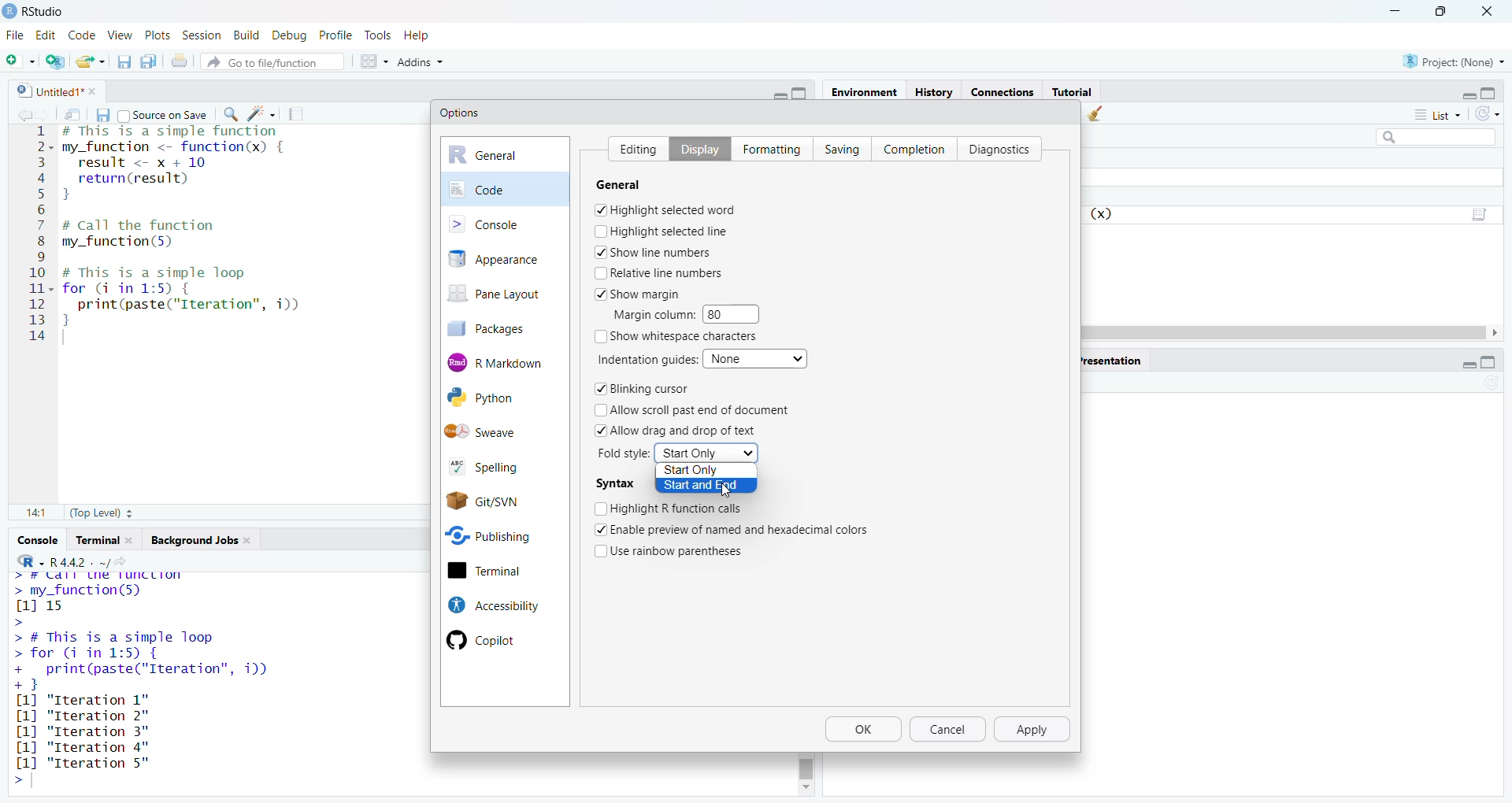 The width and height of the screenshot is (1512, 803). What do you see at coordinates (1462, 364) in the screenshot?
I see `minimize` at bounding box center [1462, 364].